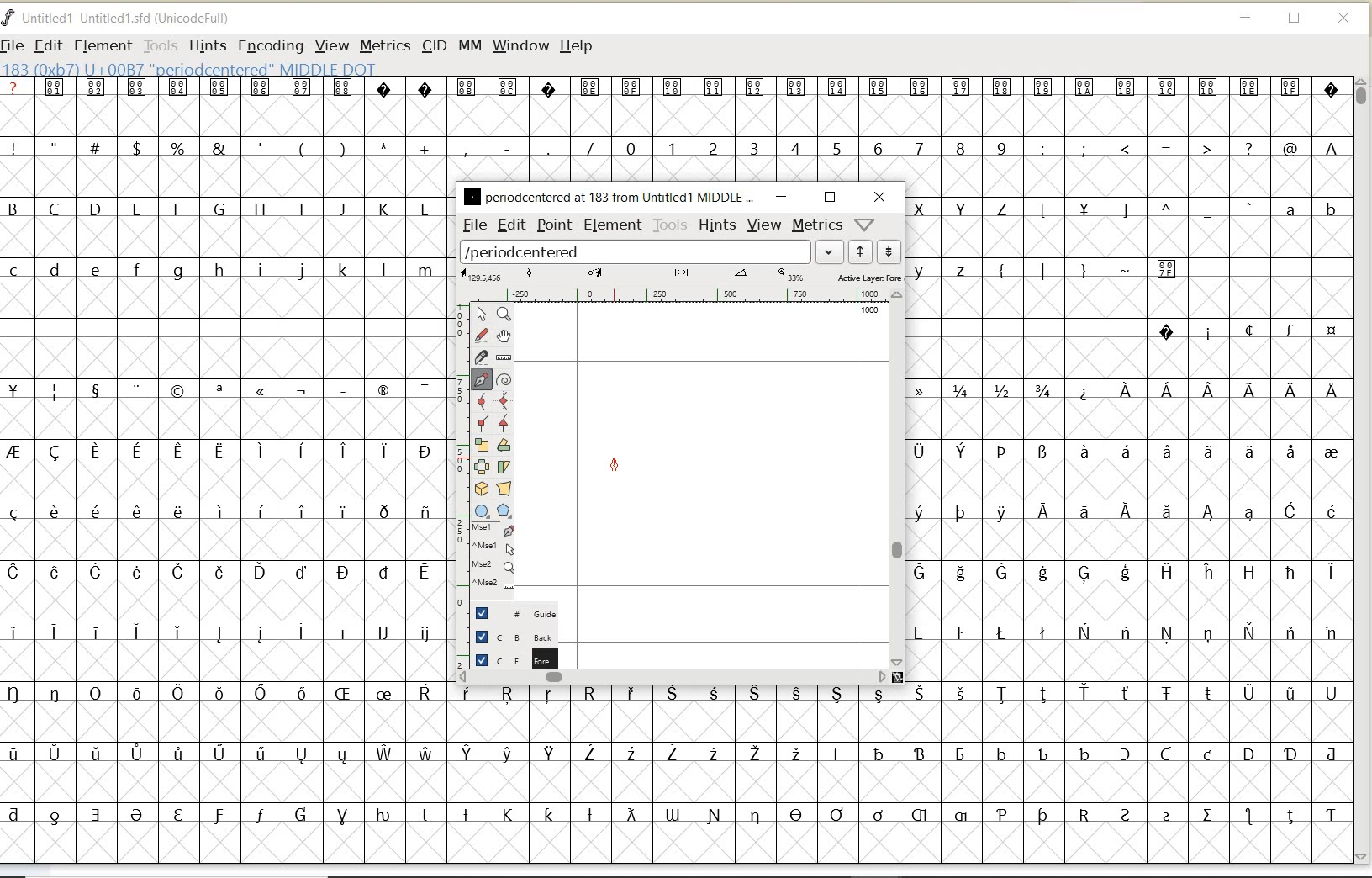 This screenshot has height=878, width=1372. I want to click on cursor events on the opened outline window, so click(493, 557).